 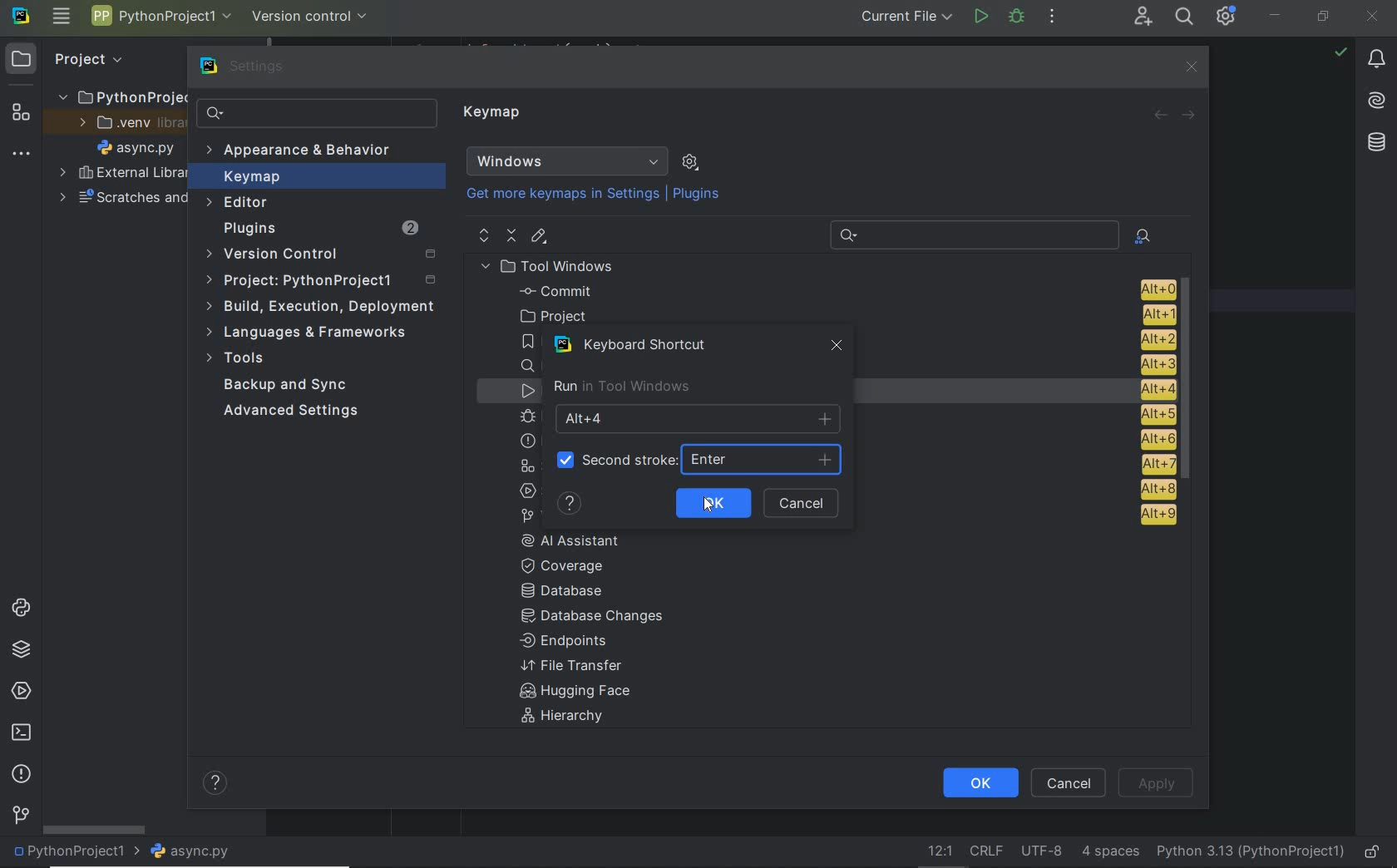 What do you see at coordinates (621, 387) in the screenshot?
I see `Run in Tool Windows` at bounding box center [621, 387].